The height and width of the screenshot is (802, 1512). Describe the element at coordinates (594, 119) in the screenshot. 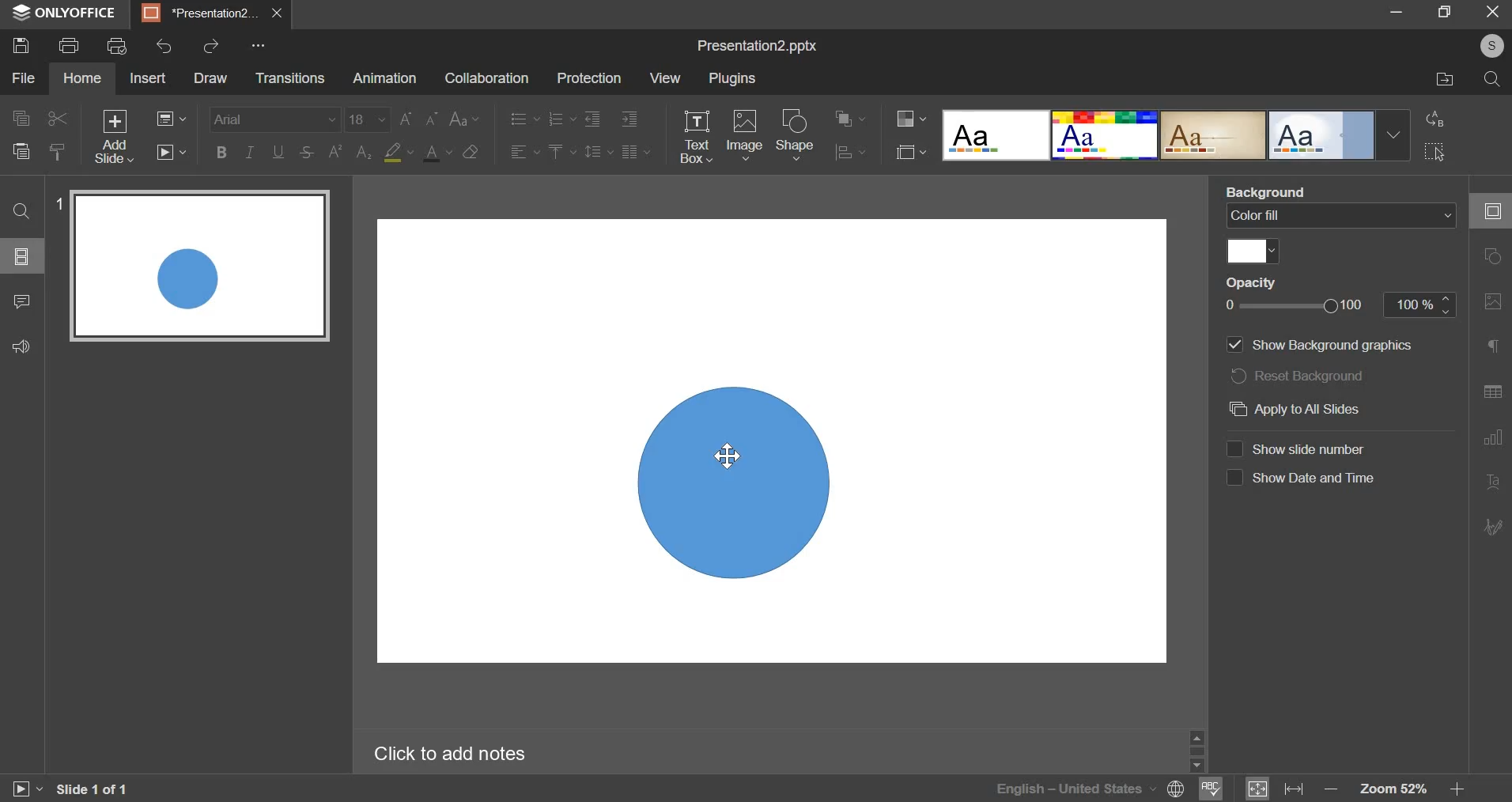

I see `decrease indent` at that location.